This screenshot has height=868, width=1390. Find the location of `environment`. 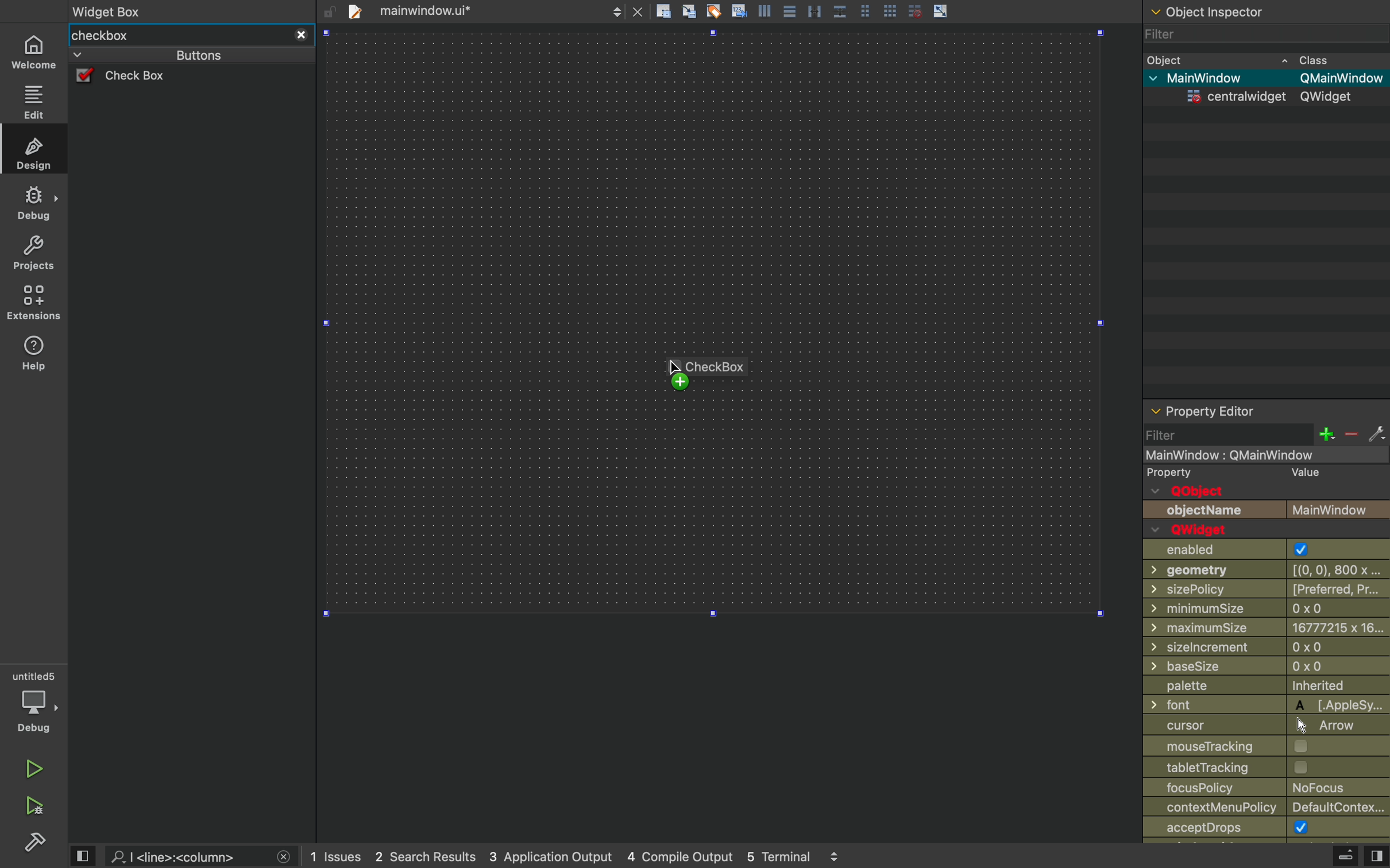

environment is located at coordinates (32, 303).